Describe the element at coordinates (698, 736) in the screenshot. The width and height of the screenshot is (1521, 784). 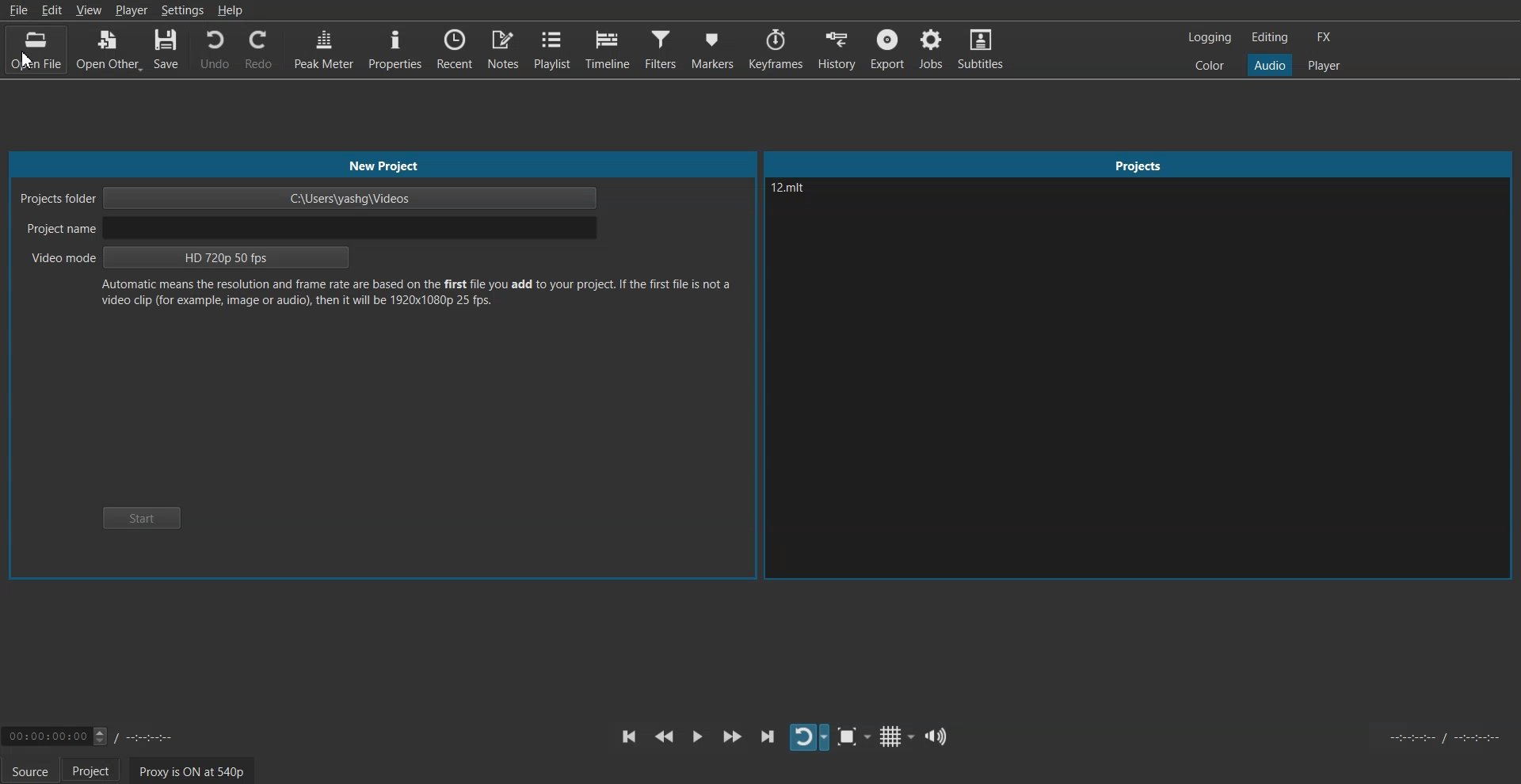
I see `Toggle play or pause` at that location.